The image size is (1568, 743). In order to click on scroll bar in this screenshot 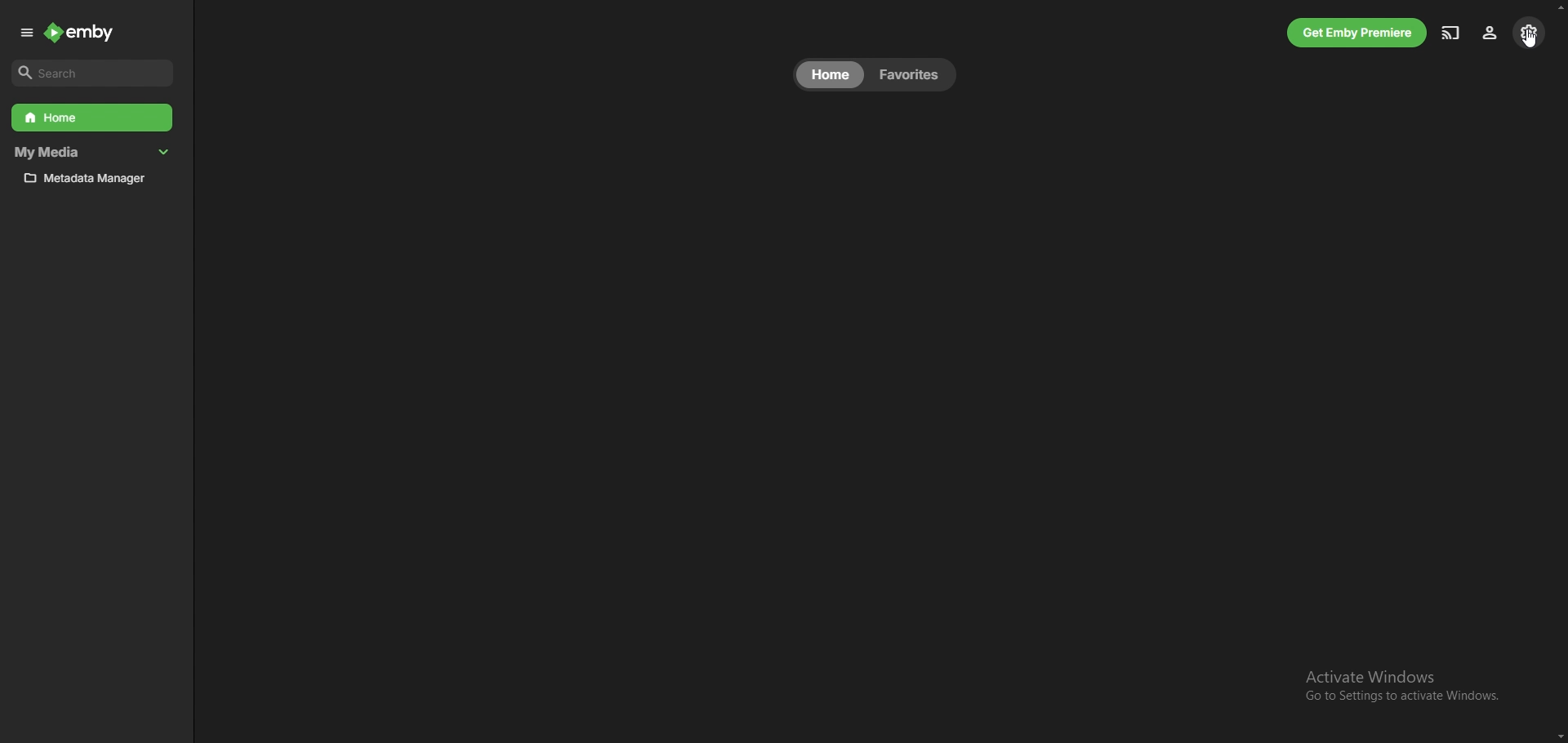, I will do `click(1559, 371)`.